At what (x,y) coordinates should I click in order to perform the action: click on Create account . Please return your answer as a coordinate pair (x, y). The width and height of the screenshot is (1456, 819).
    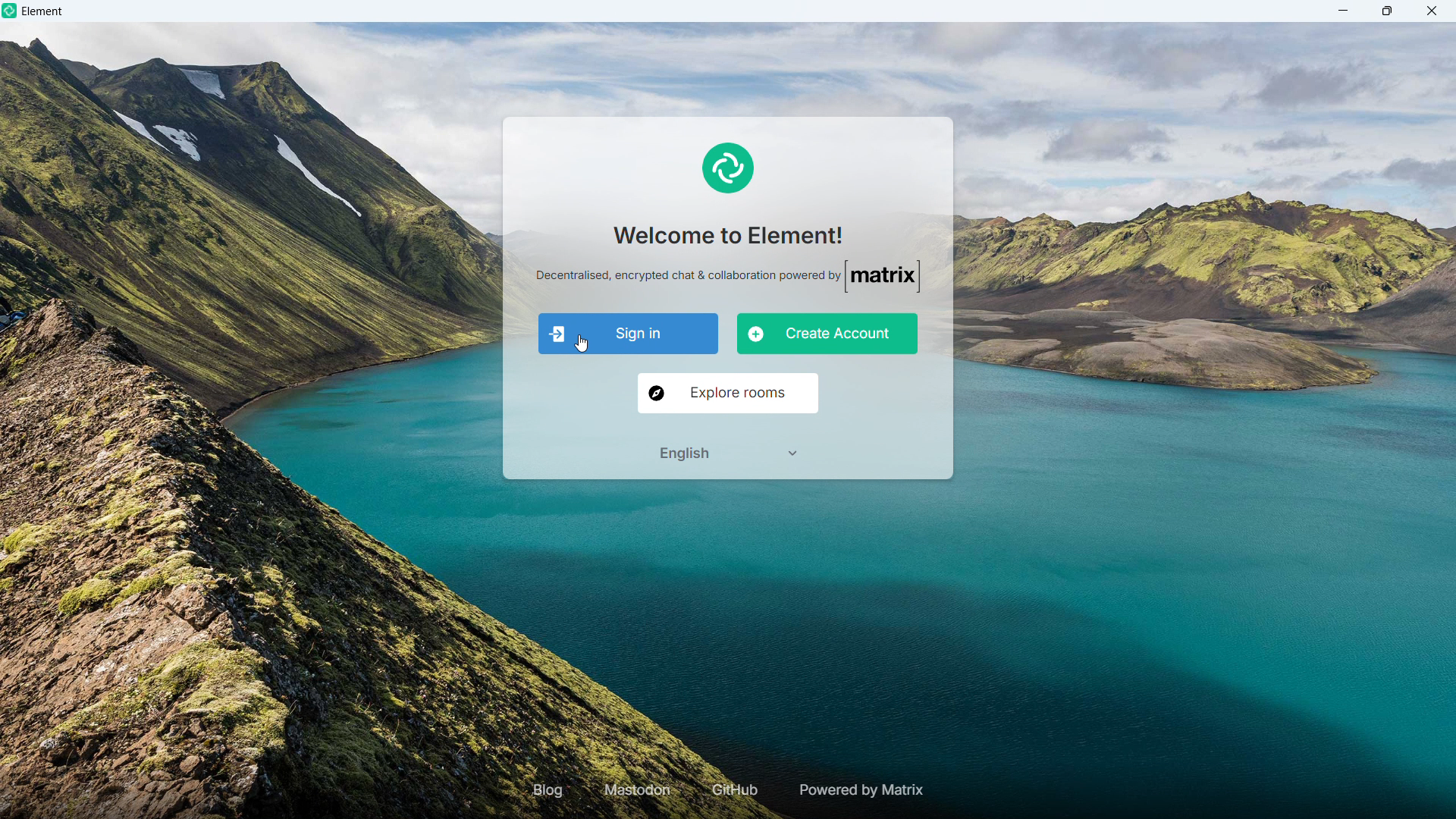
    Looking at the image, I should click on (827, 332).